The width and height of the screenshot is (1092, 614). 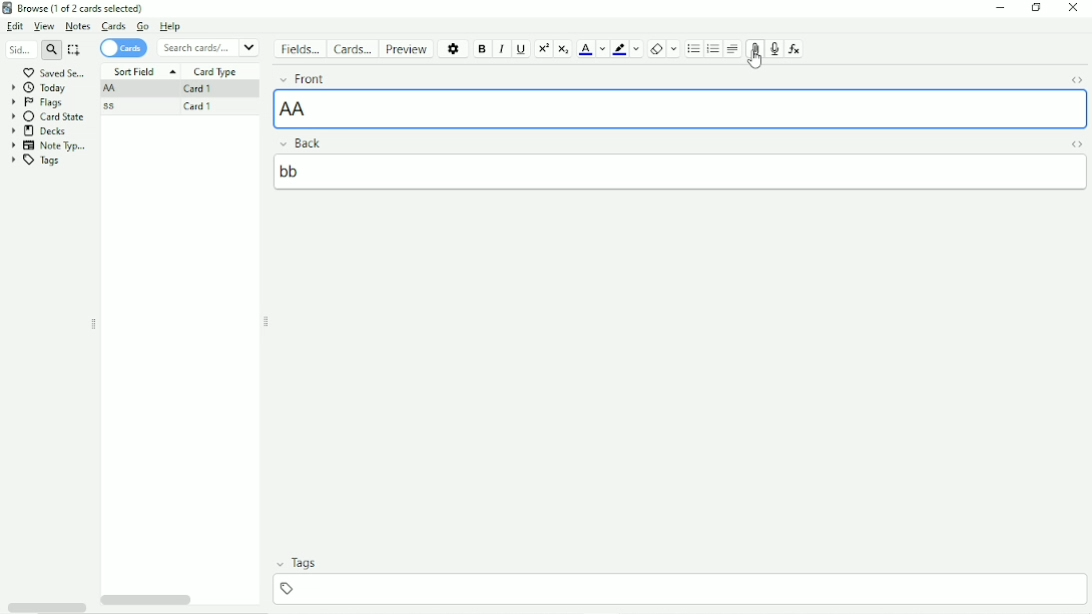 I want to click on Tags, so click(x=297, y=564).